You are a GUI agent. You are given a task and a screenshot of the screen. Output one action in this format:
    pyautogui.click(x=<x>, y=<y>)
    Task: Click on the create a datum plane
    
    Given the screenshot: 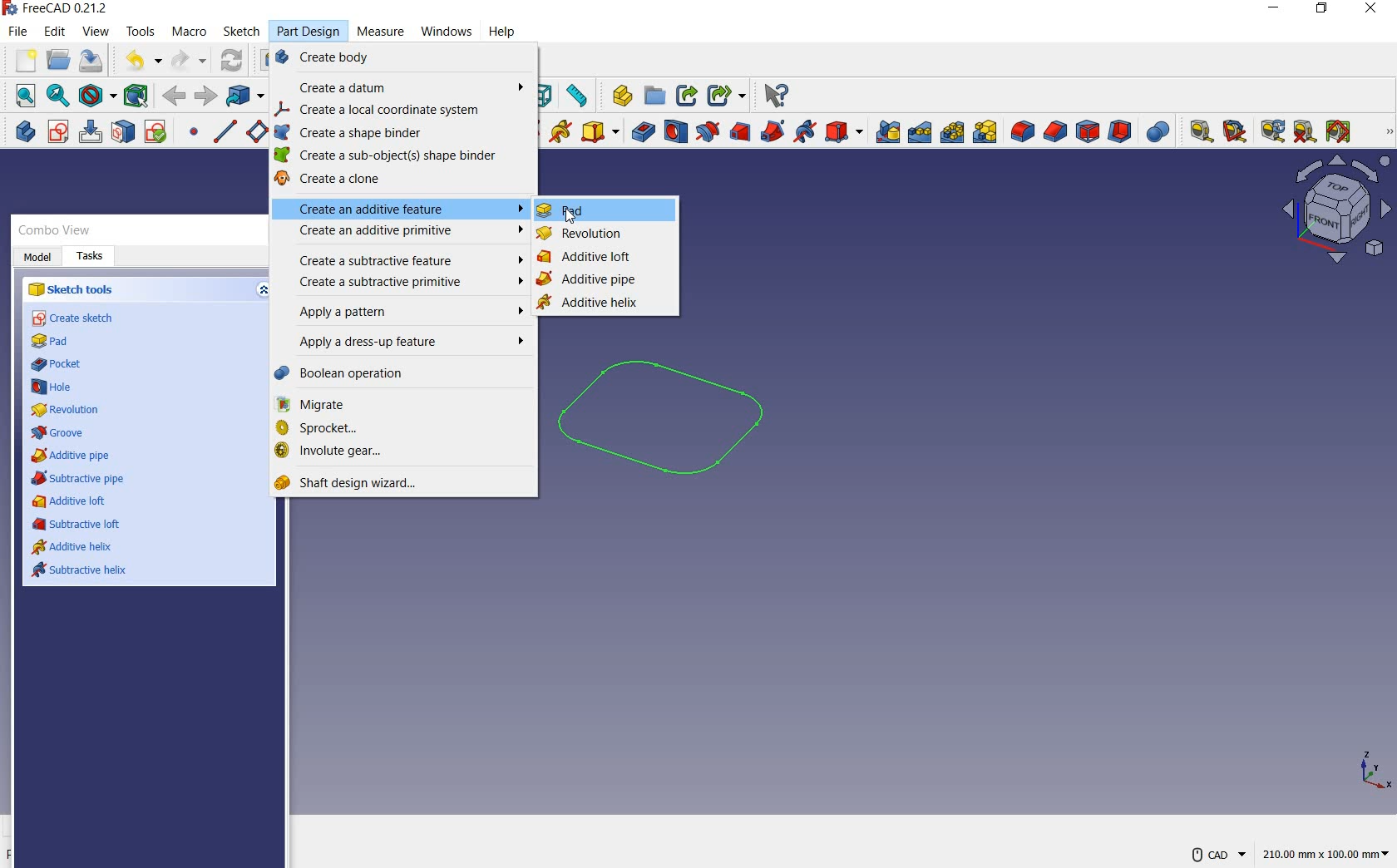 What is the action you would take?
    pyautogui.click(x=258, y=131)
    